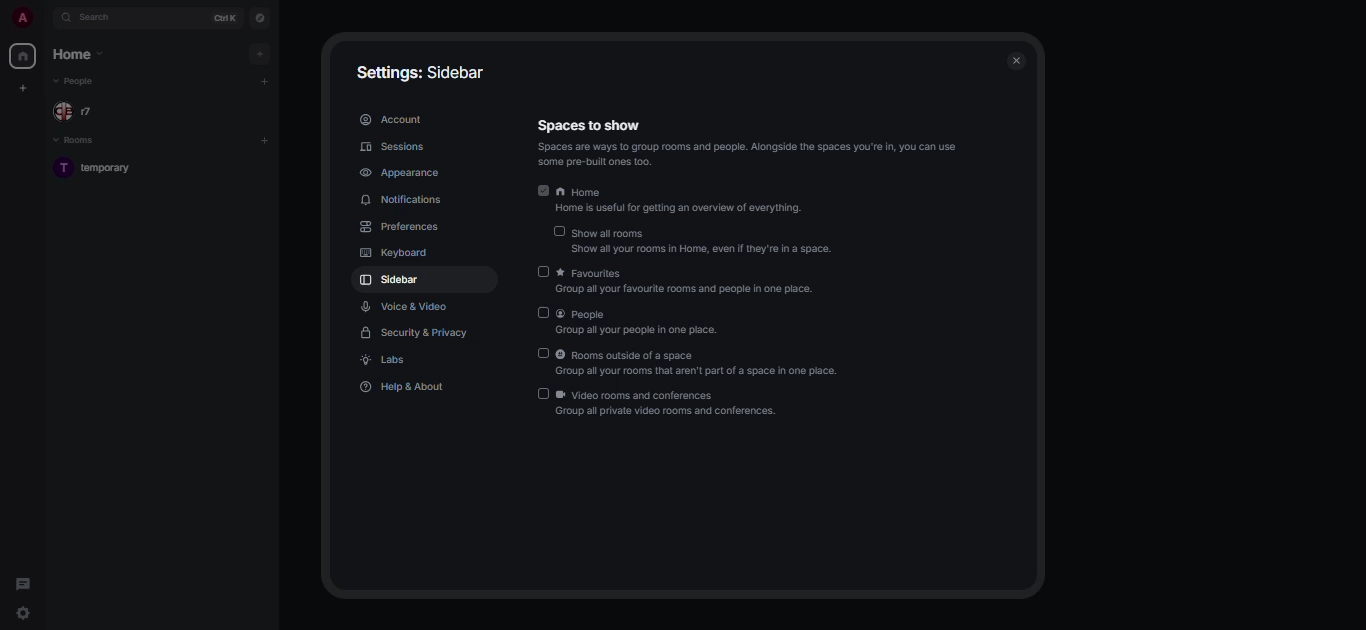 The height and width of the screenshot is (630, 1366). I want to click on rooms outside of a space, so click(691, 356).